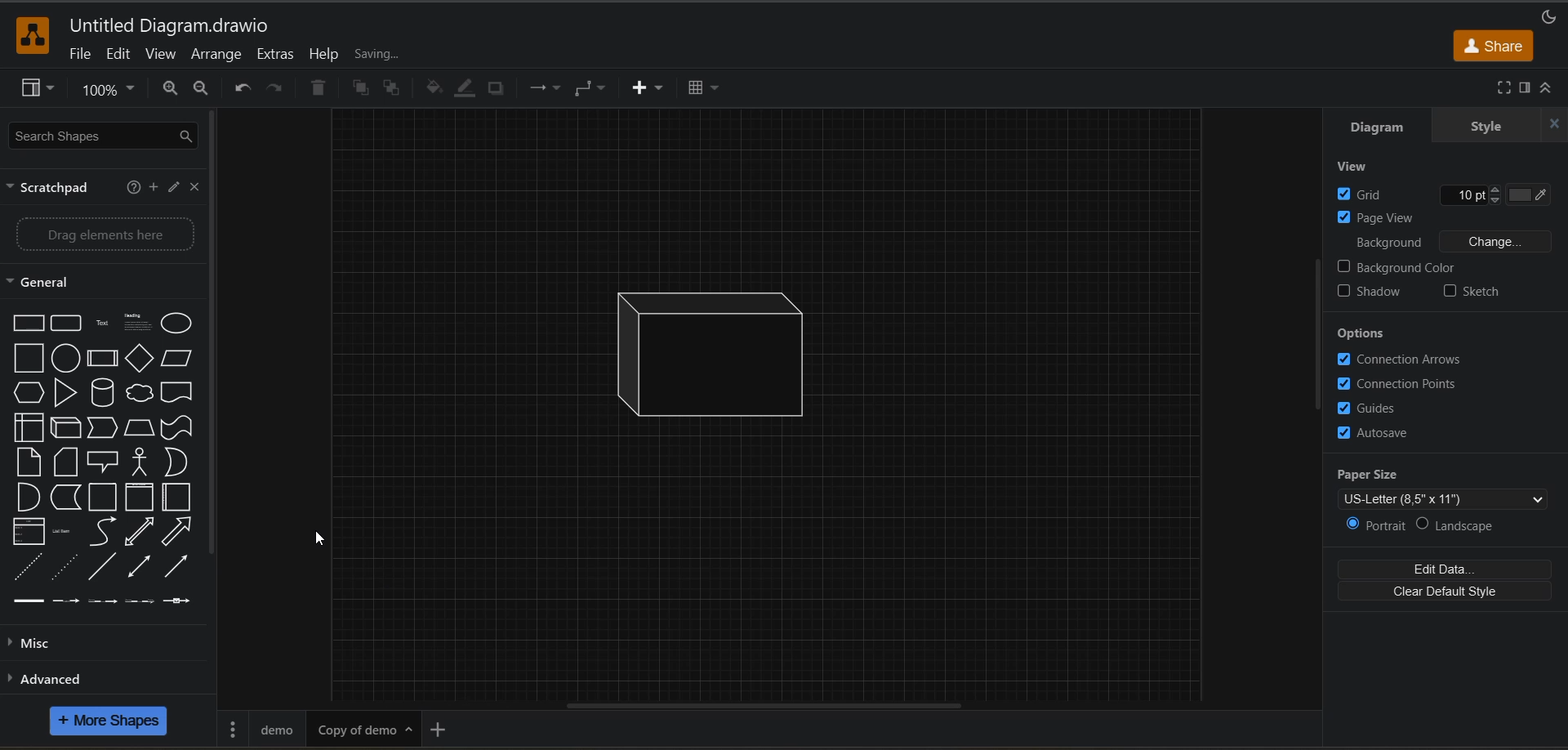  What do you see at coordinates (1378, 407) in the screenshot?
I see `guides` at bounding box center [1378, 407].